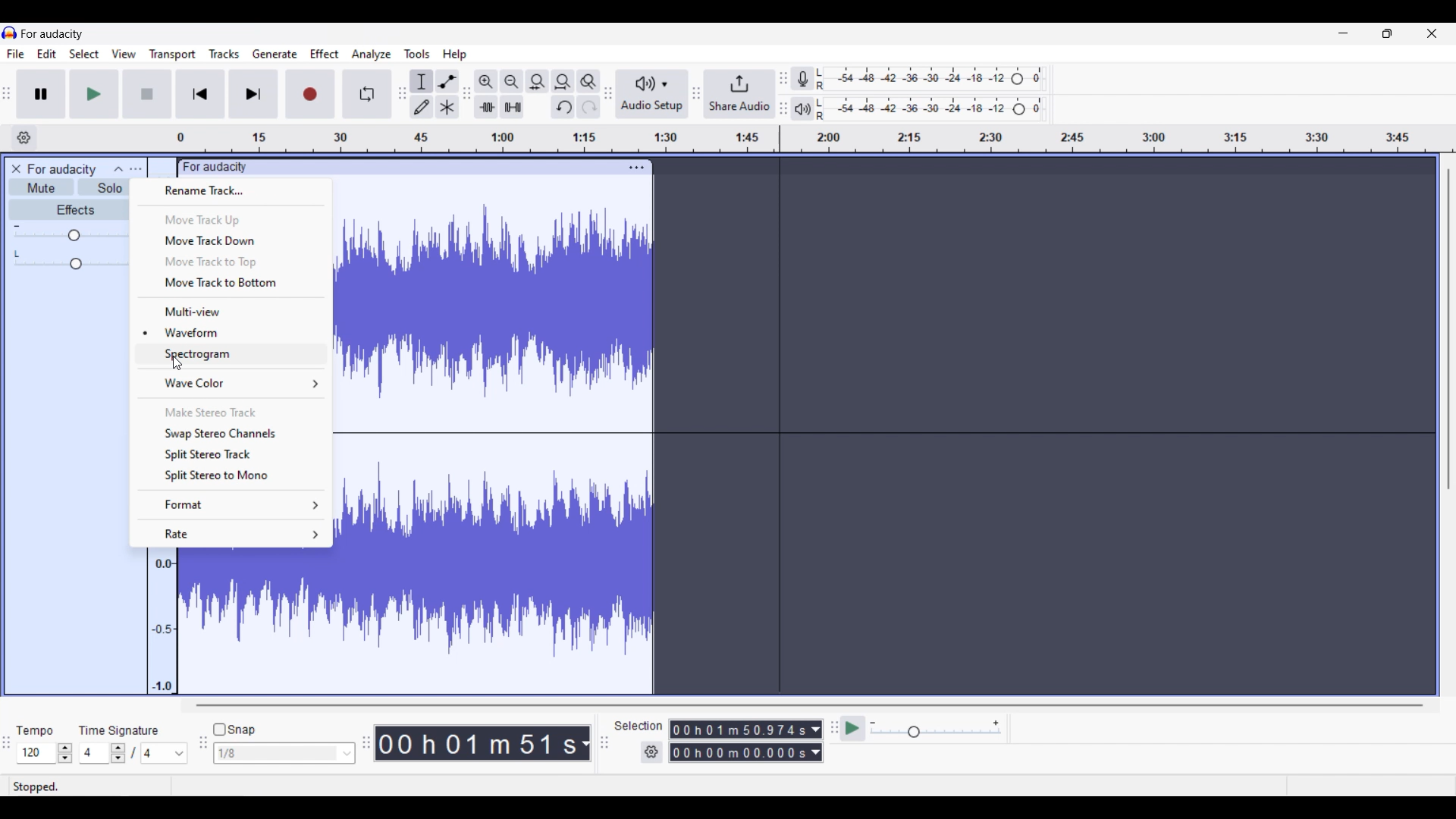  Describe the element at coordinates (54, 33) in the screenshot. I see `for audacity` at that location.